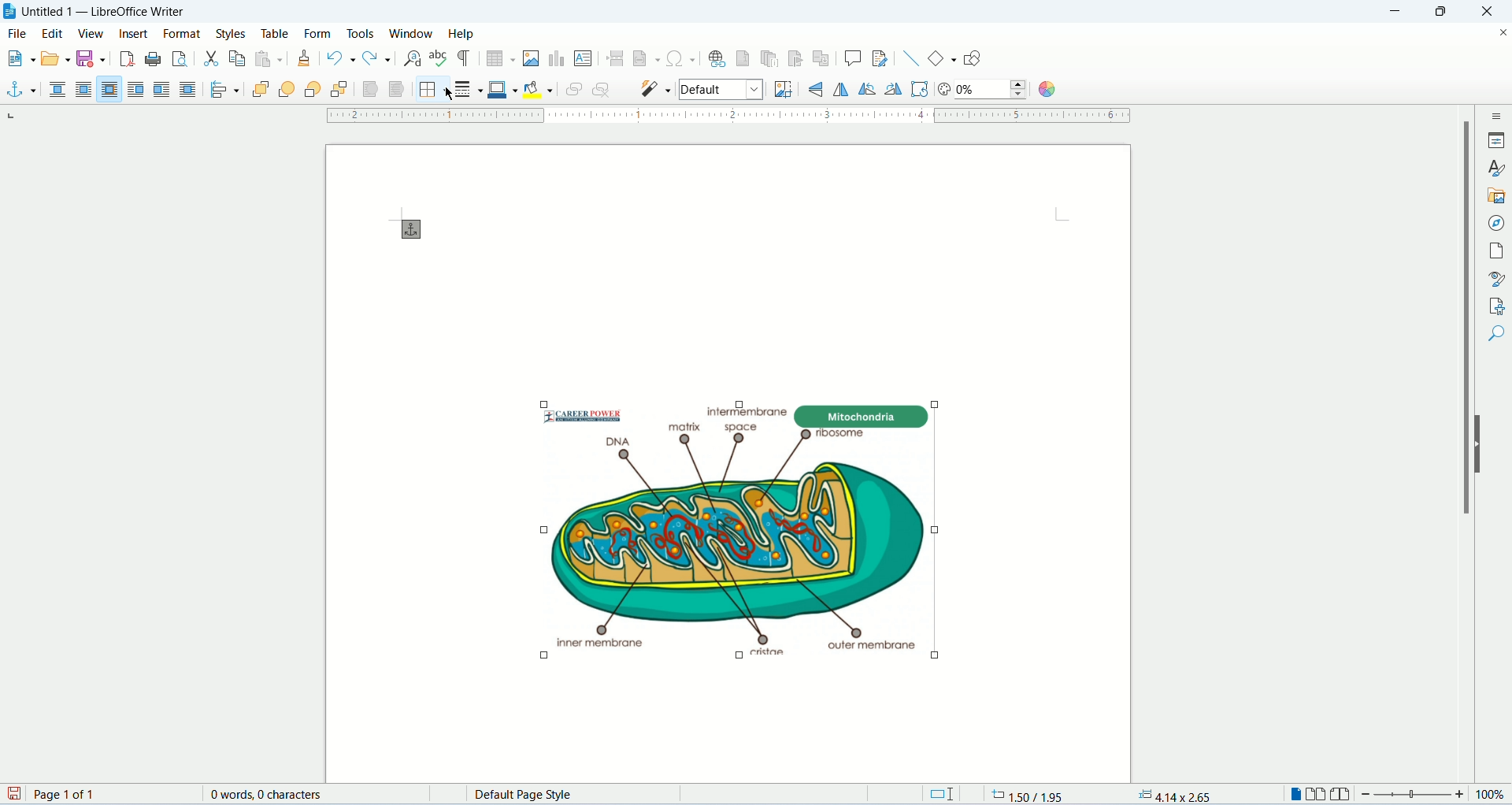  Describe the element at coordinates (615, 58) in the screenshot. I see `insert page break` at that location.